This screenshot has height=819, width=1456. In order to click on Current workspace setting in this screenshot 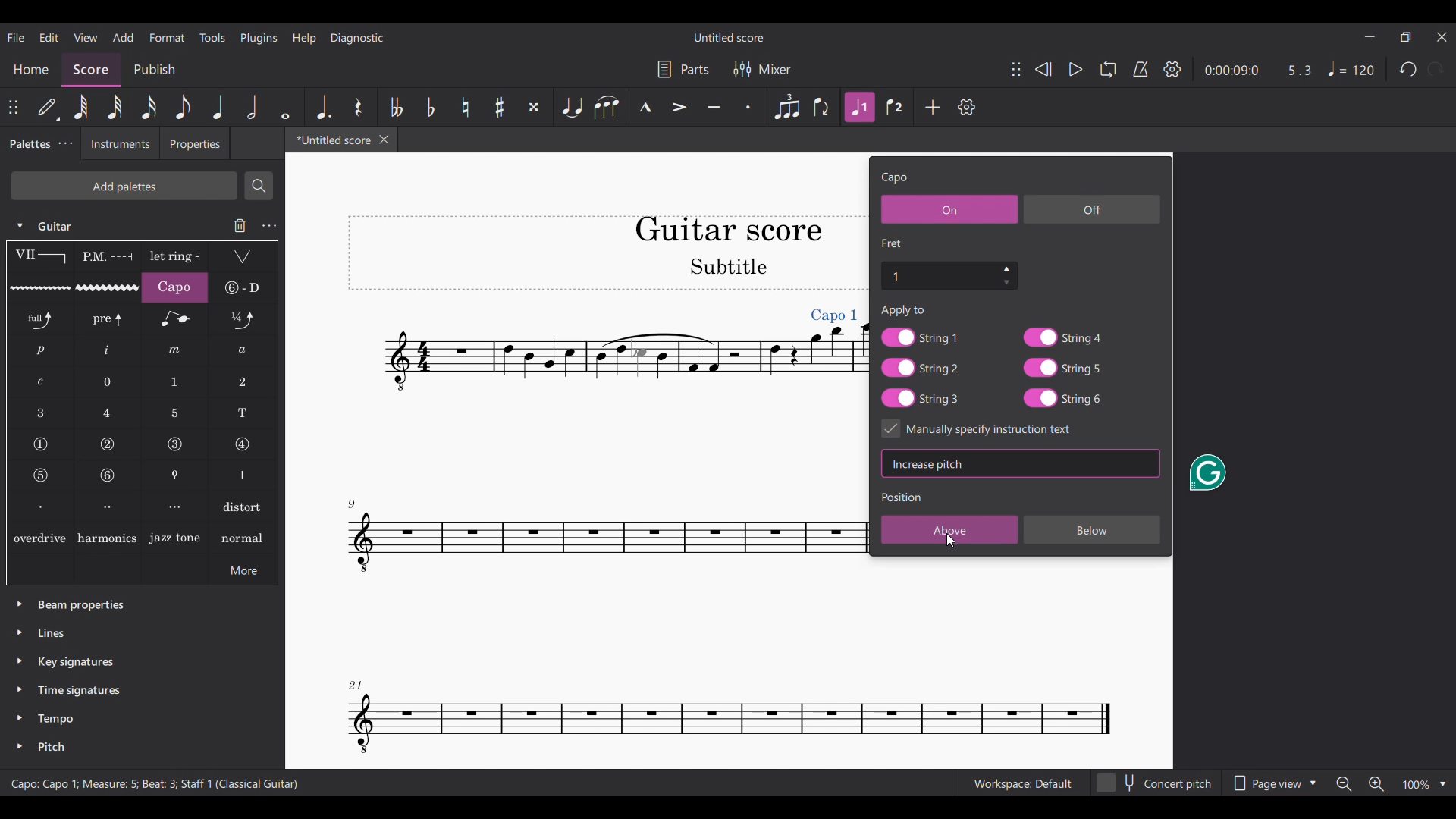, I will do `click(1022, 783)`.